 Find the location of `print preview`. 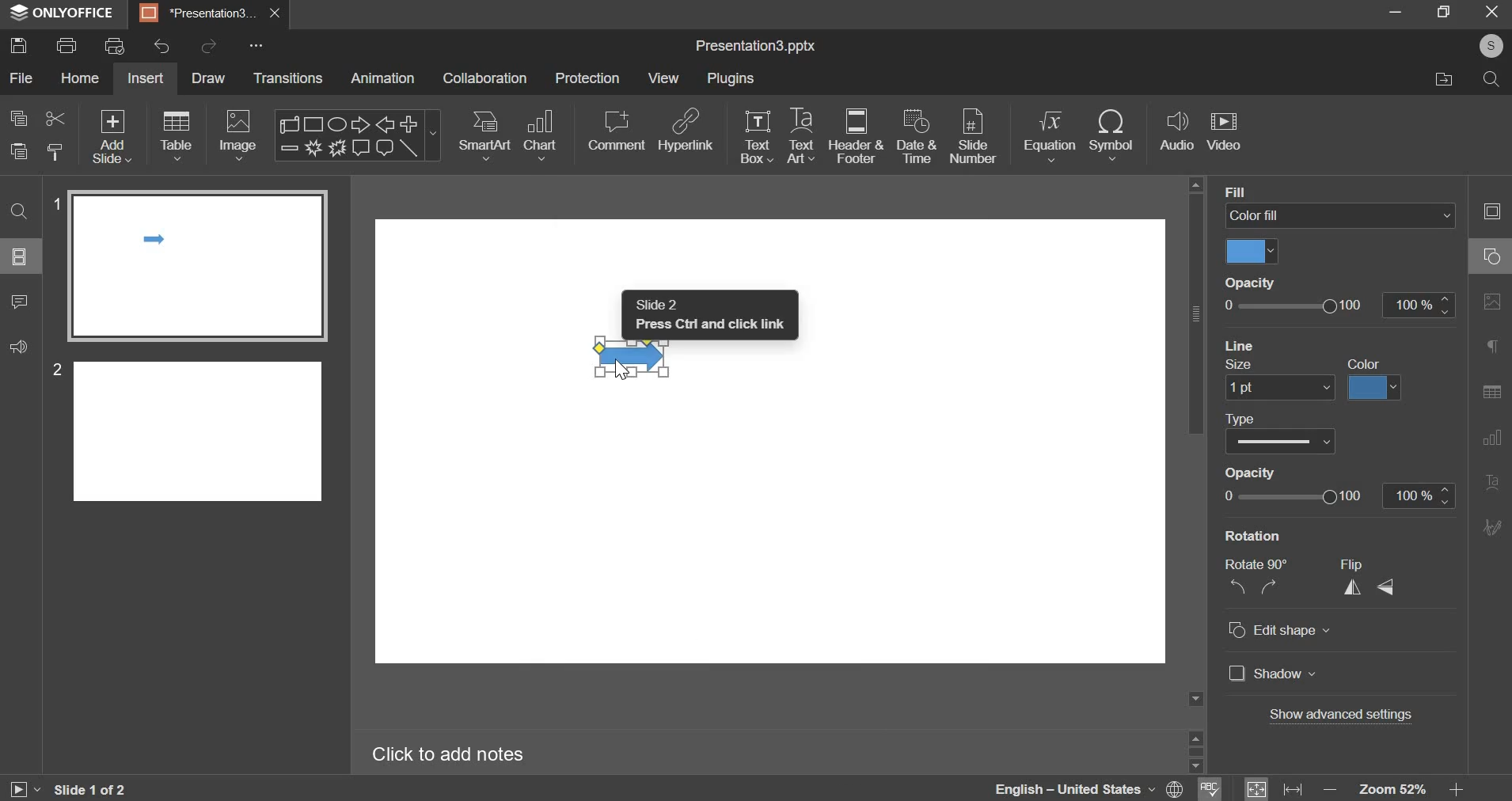

print preview is located at coordinates (115, 45).